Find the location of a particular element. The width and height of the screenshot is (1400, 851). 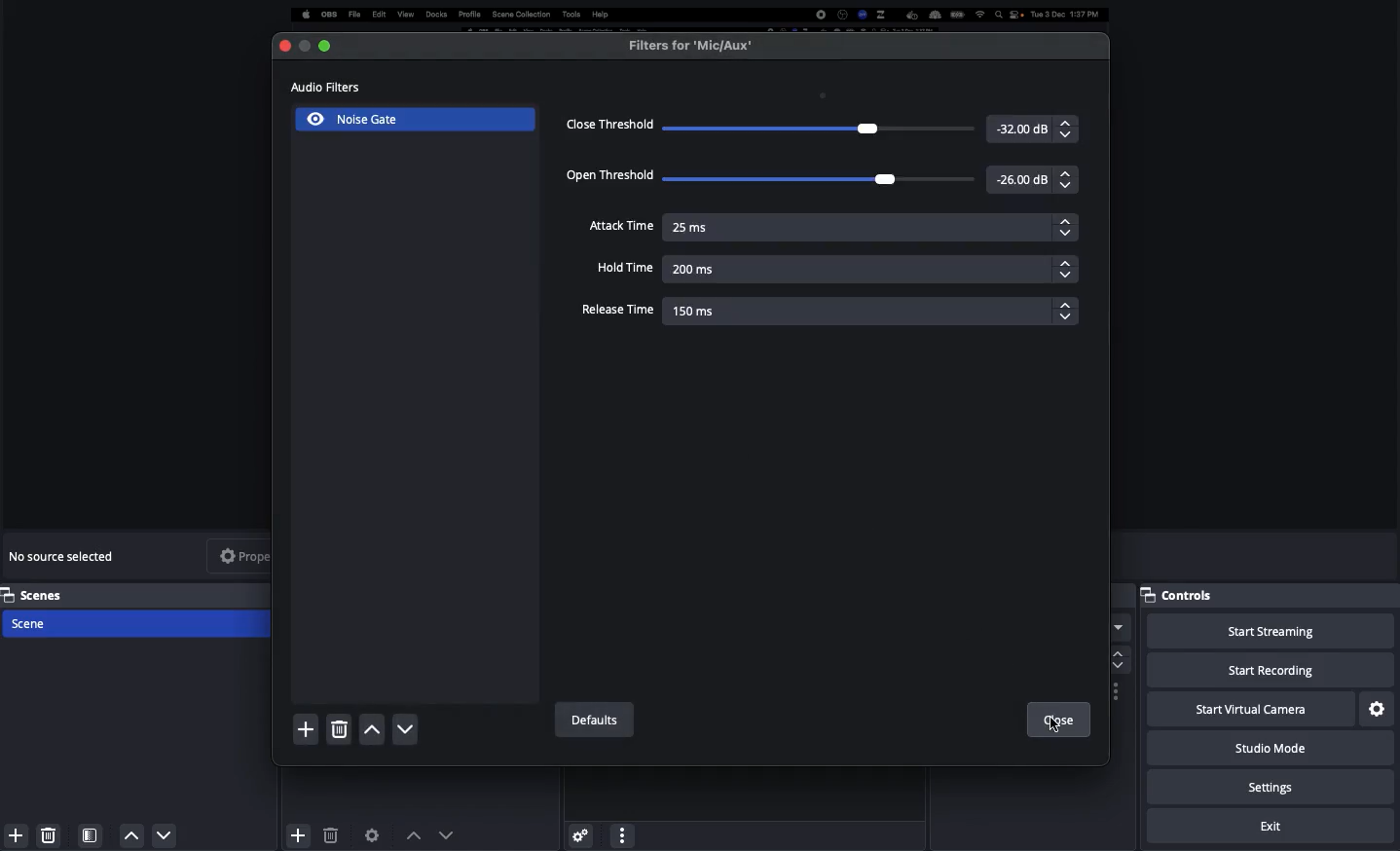

Studio mode is located at coordinates (1268, 752).